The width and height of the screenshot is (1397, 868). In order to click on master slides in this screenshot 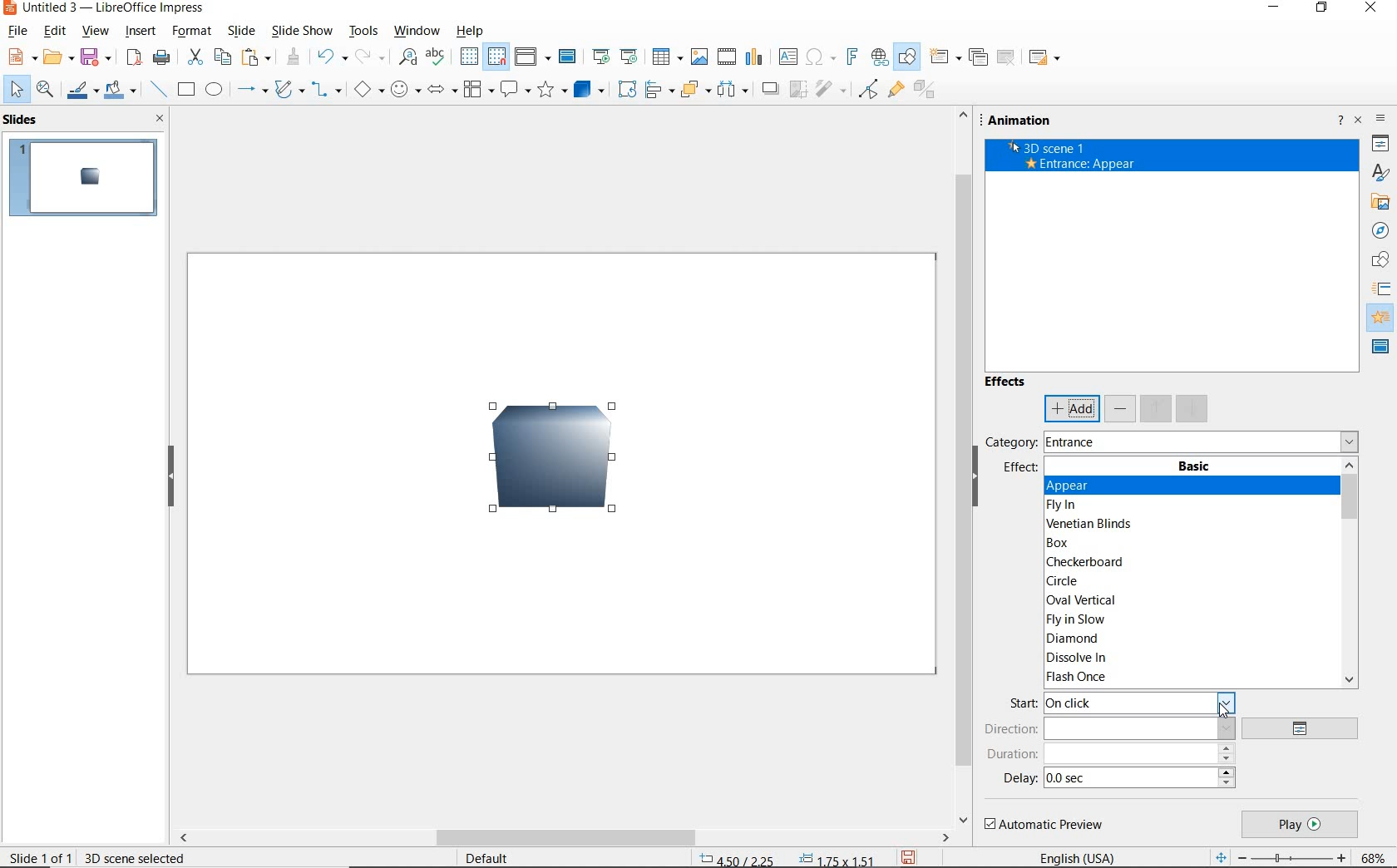, I will do `click(1381, 348)`.